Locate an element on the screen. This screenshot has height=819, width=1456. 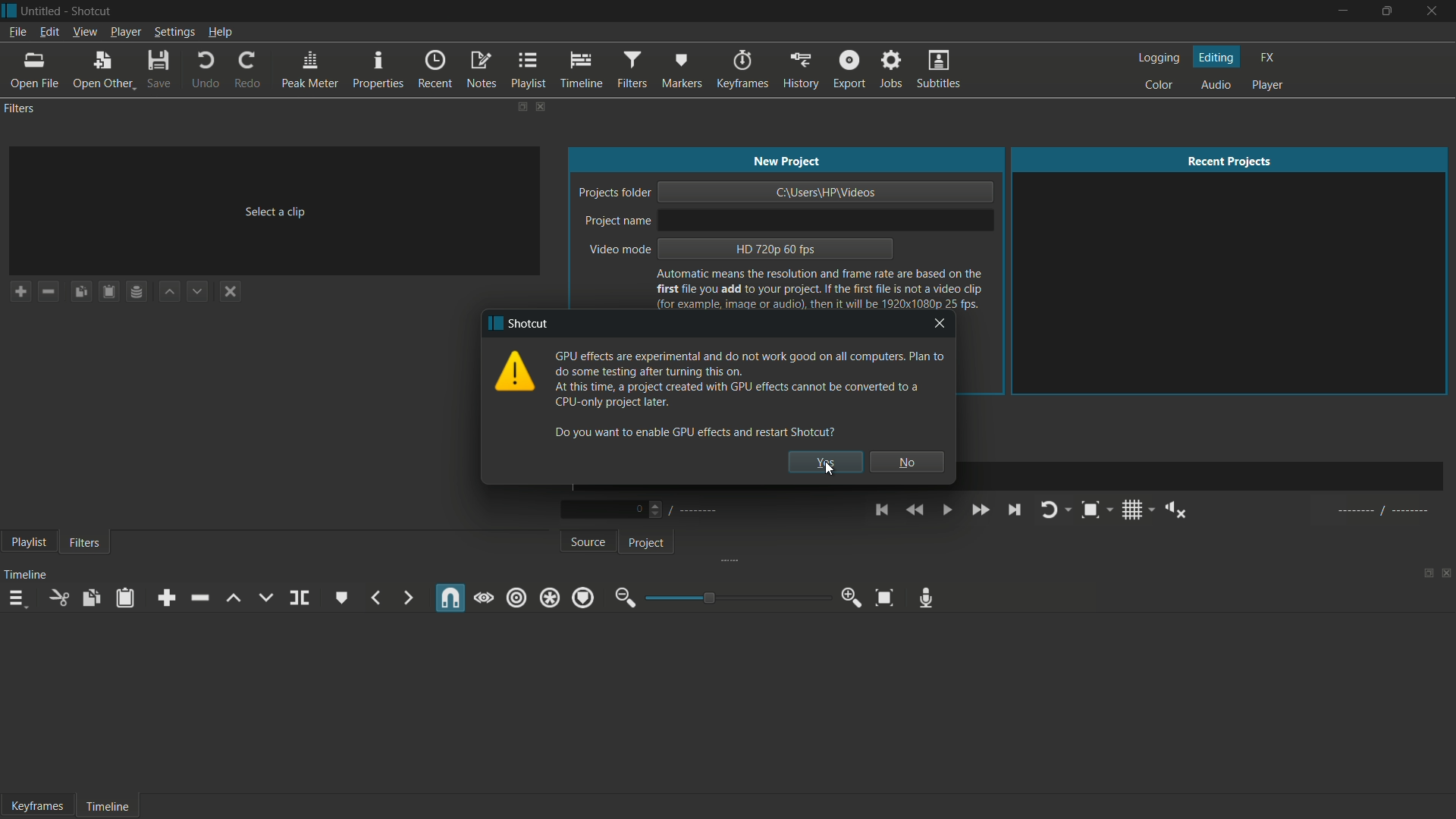
subtitles is located at coordinates (938, 68).